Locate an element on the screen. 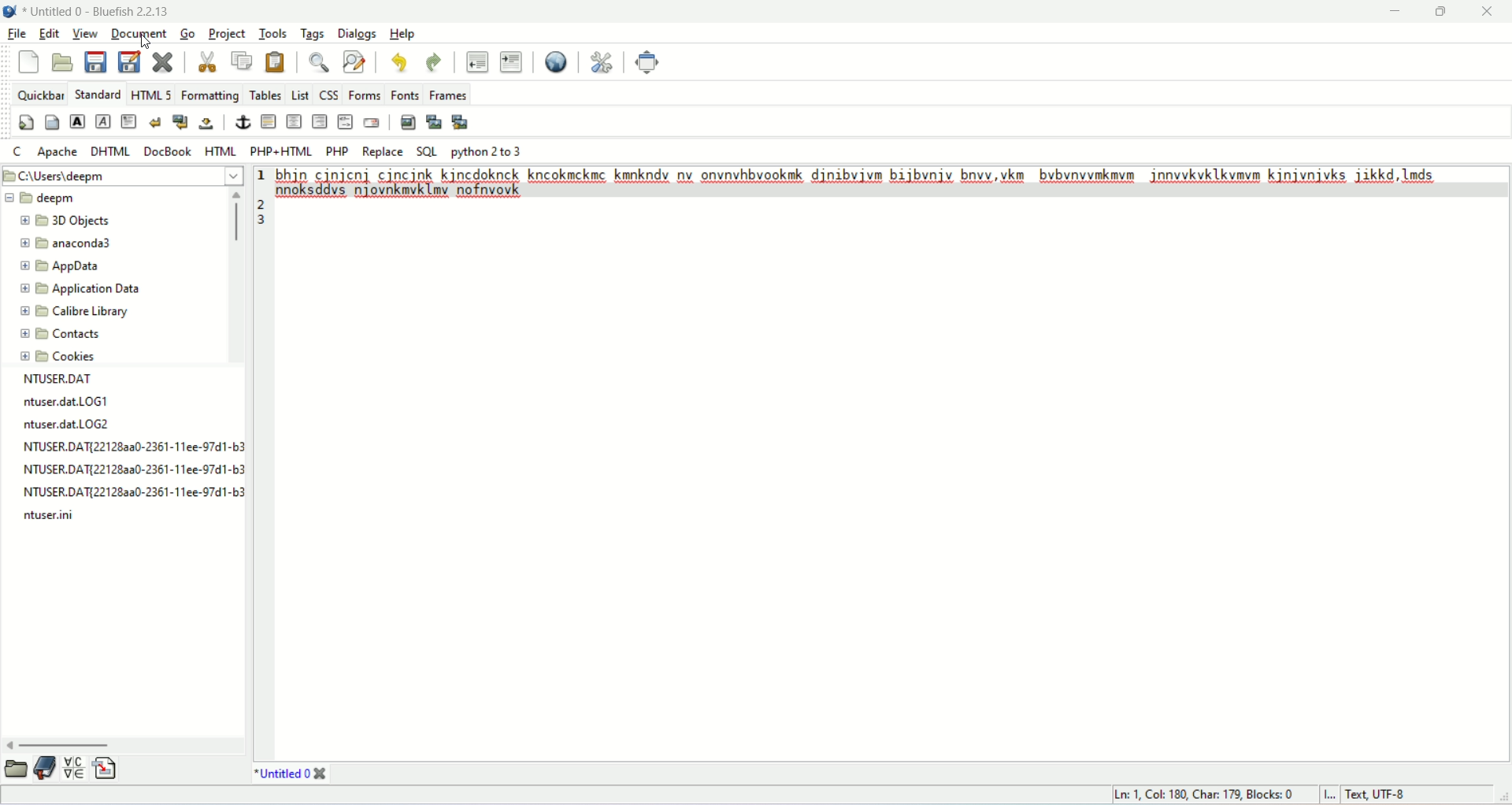  dialogs is located at coordinates (361, 33).